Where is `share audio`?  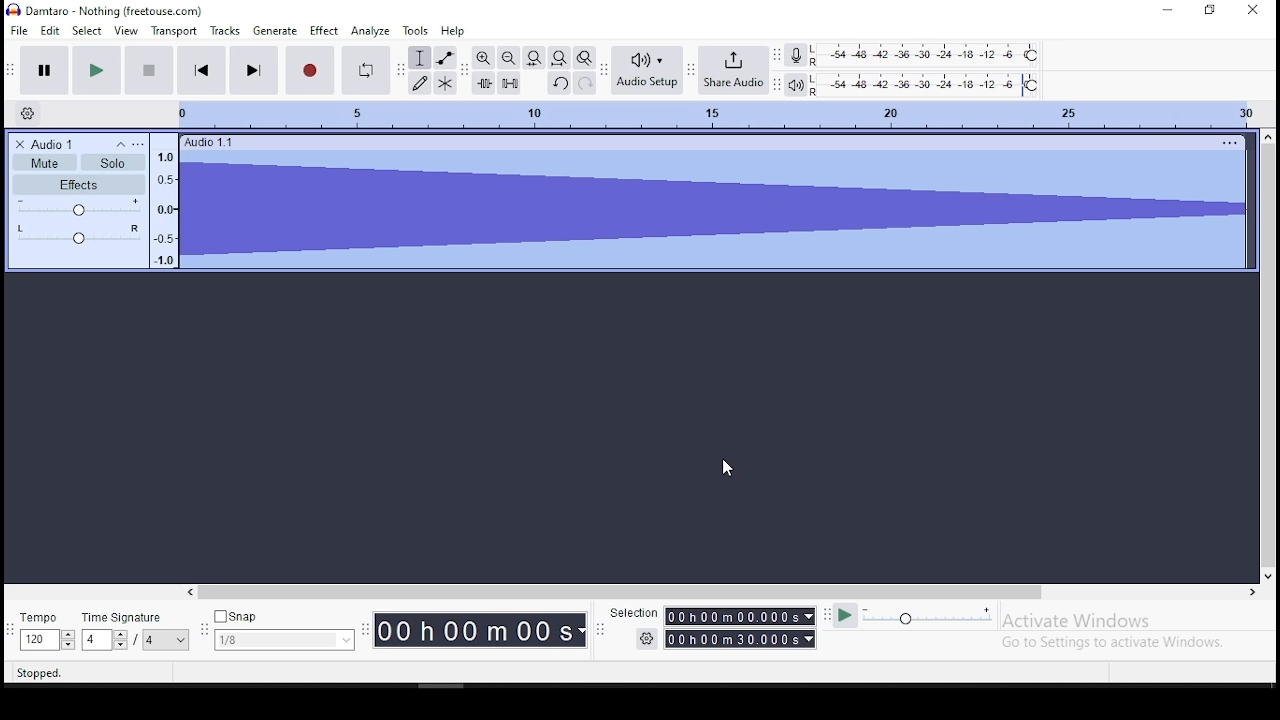 share audio is located at coordinates (735, 71).